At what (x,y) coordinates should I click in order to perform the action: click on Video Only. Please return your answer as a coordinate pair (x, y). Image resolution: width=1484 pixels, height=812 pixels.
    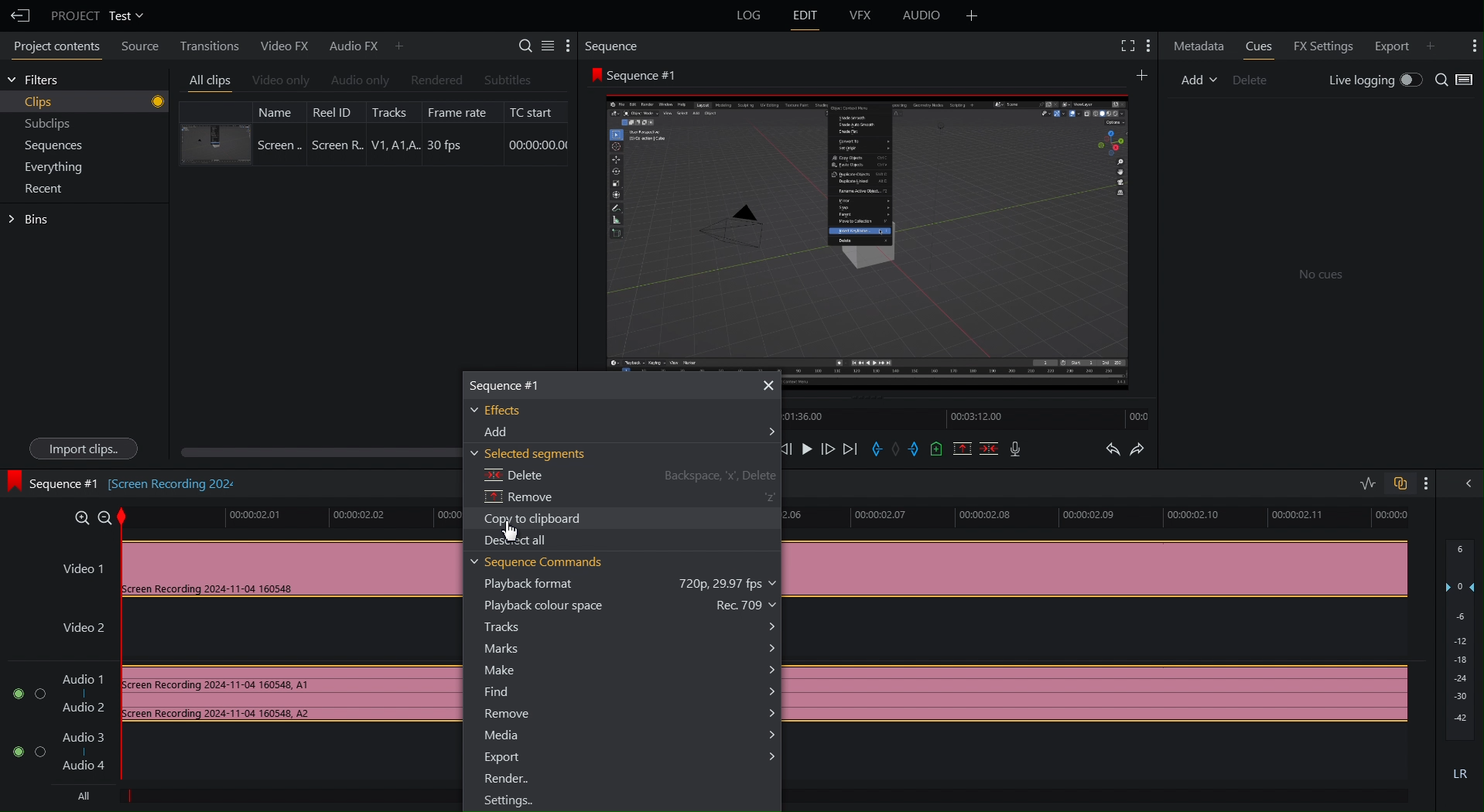
    Looking at the image, I should click on (281, 79).